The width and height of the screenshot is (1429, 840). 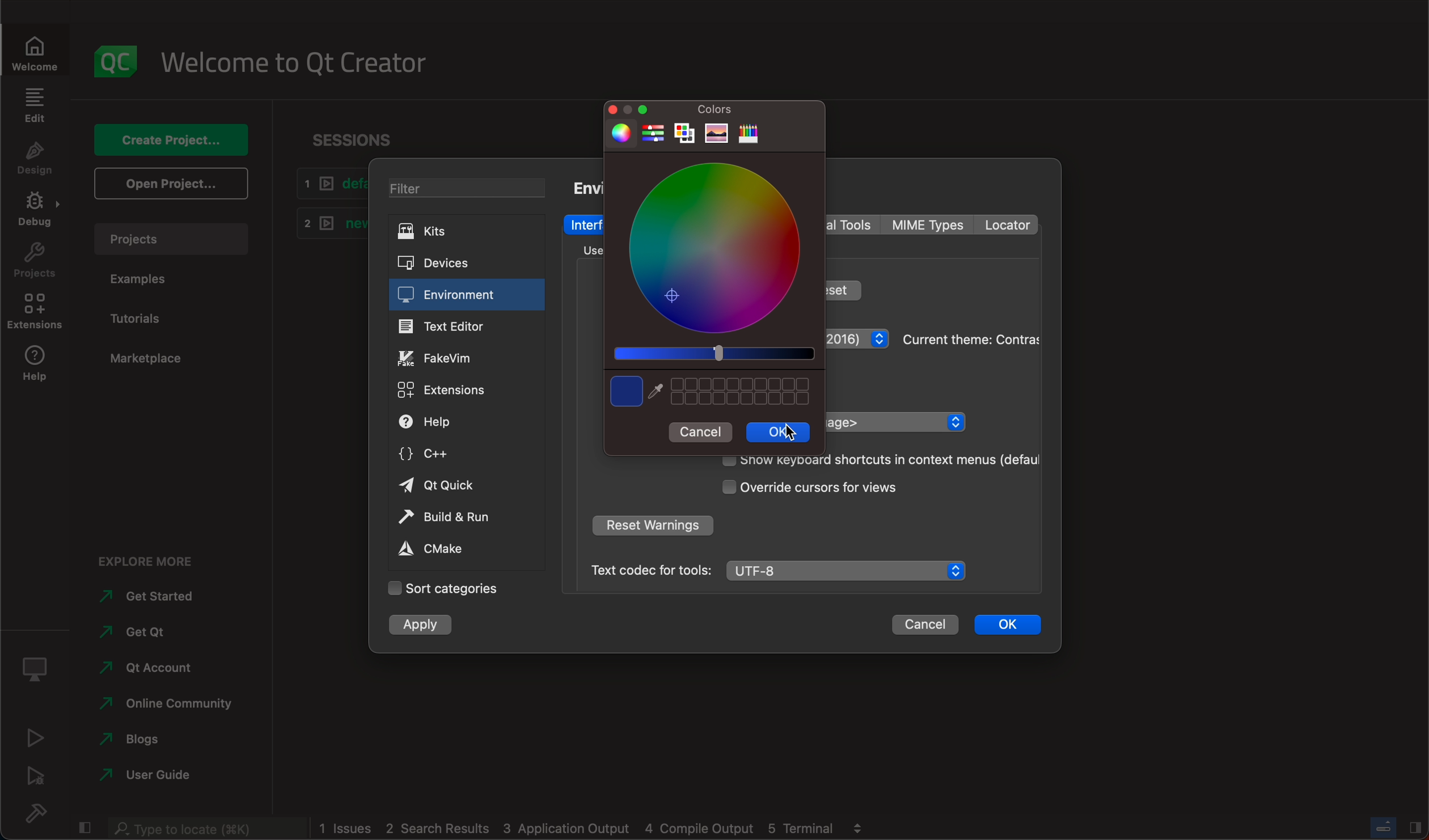 What do you see at coordinates (717, 111) in the screenshot?
I see `colors` at bounding box center [717, 111].